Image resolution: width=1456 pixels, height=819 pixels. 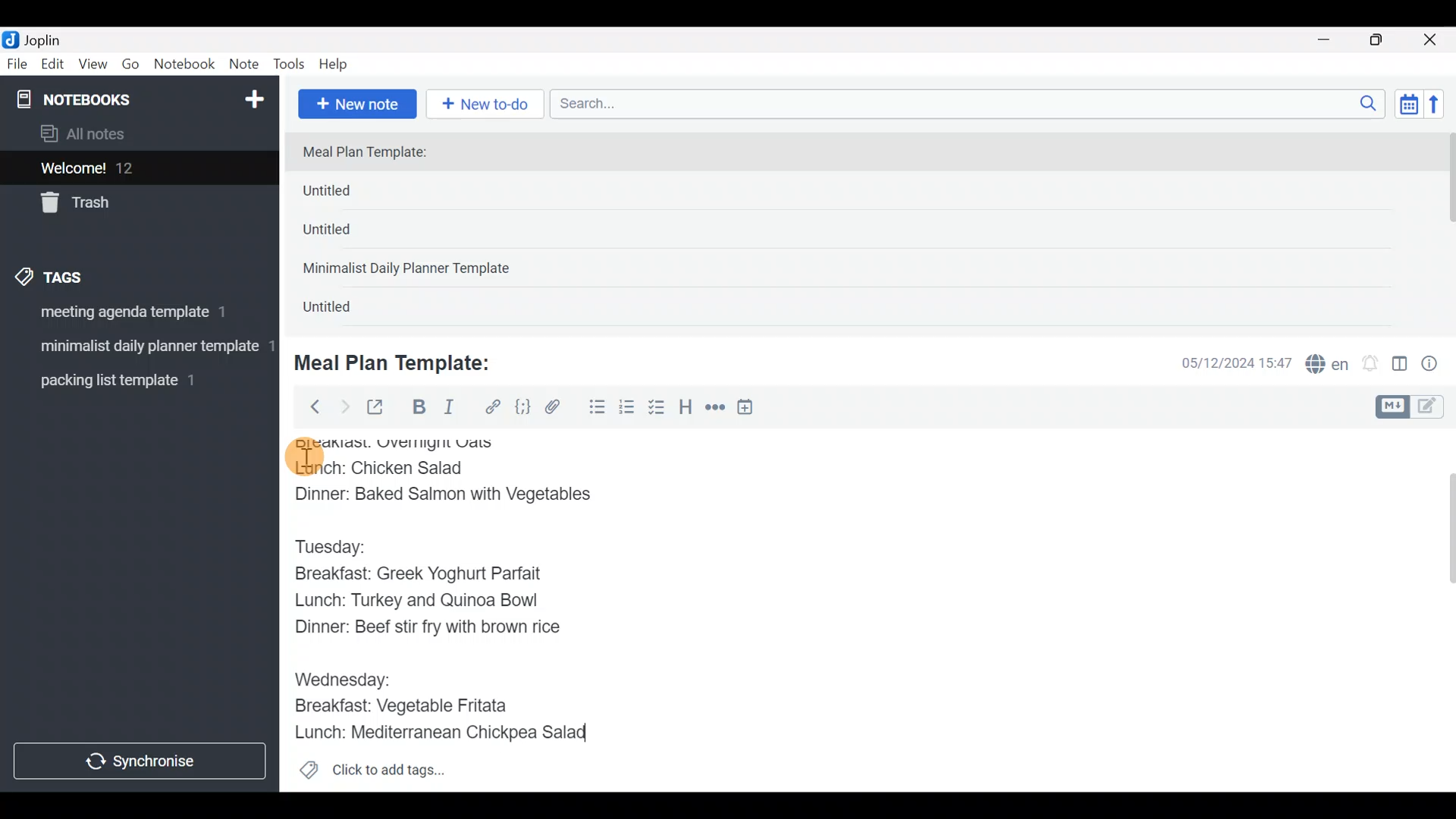 What do you see at coordinates (352, 194) in the screenshot?
I see `Untitled` at bounding box center [352, 194].